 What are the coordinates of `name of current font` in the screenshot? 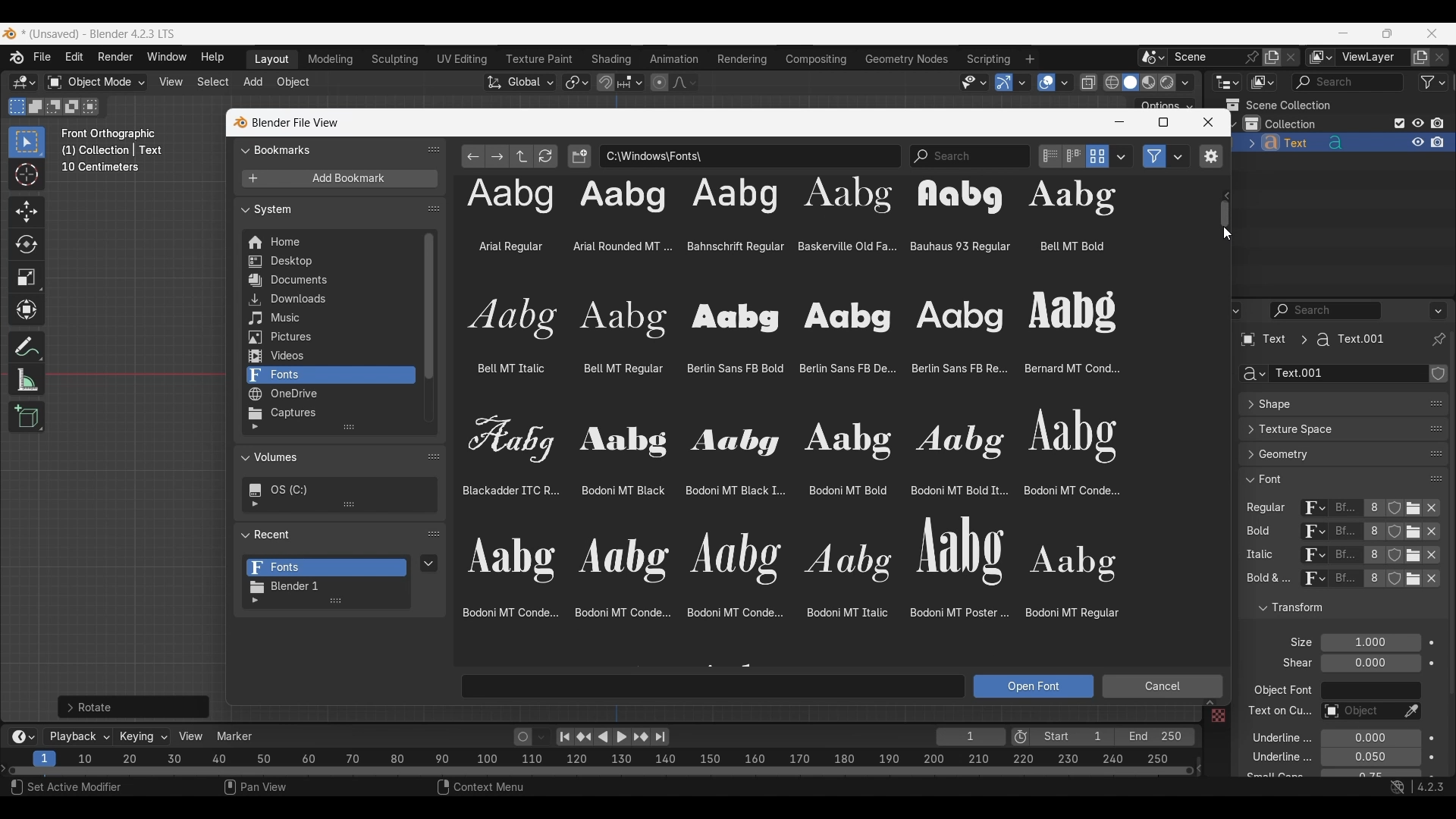 It's located at (1345, 584).